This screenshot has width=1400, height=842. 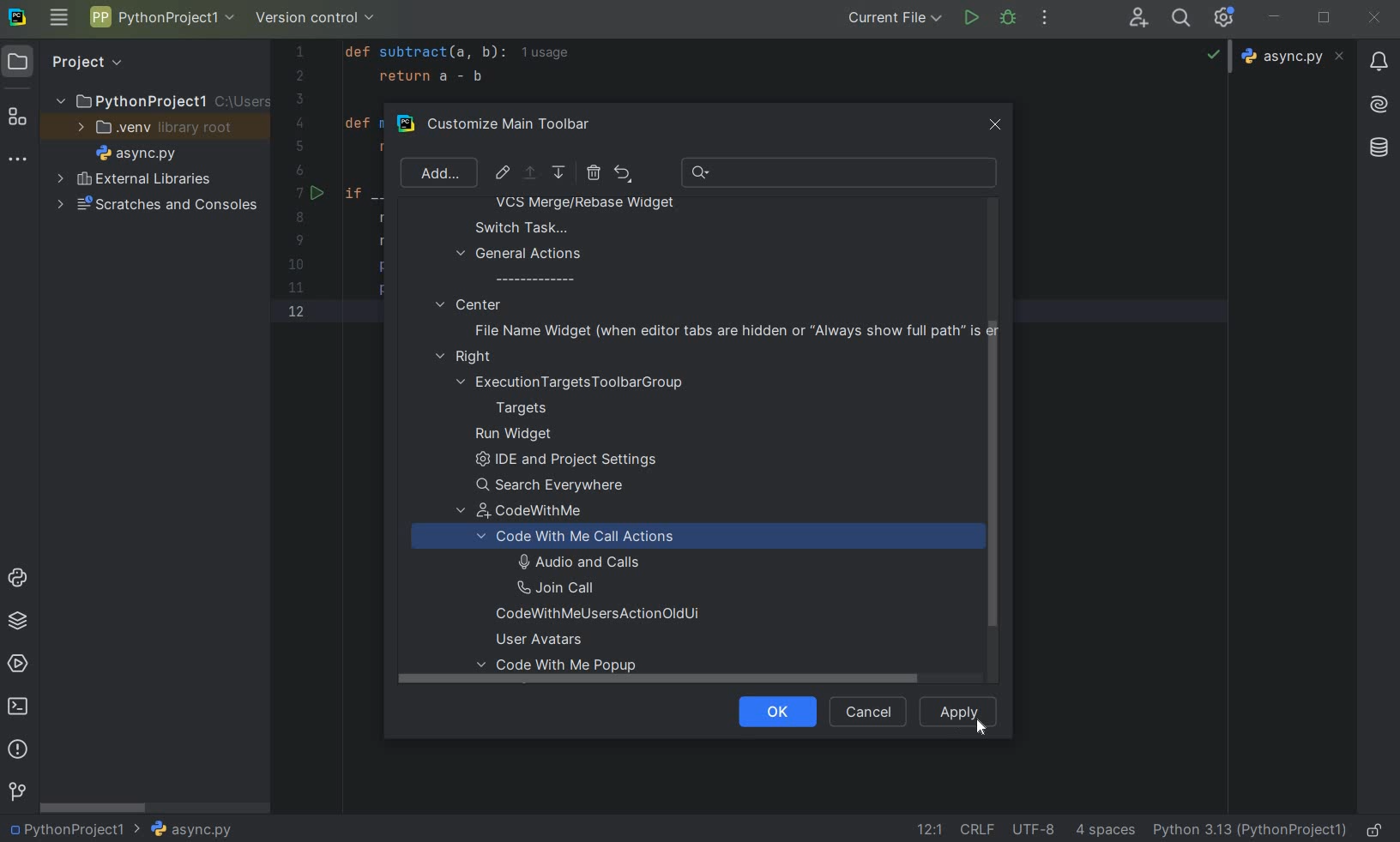 I want to click on MINIMIZE, so click(x=1276, y=18).